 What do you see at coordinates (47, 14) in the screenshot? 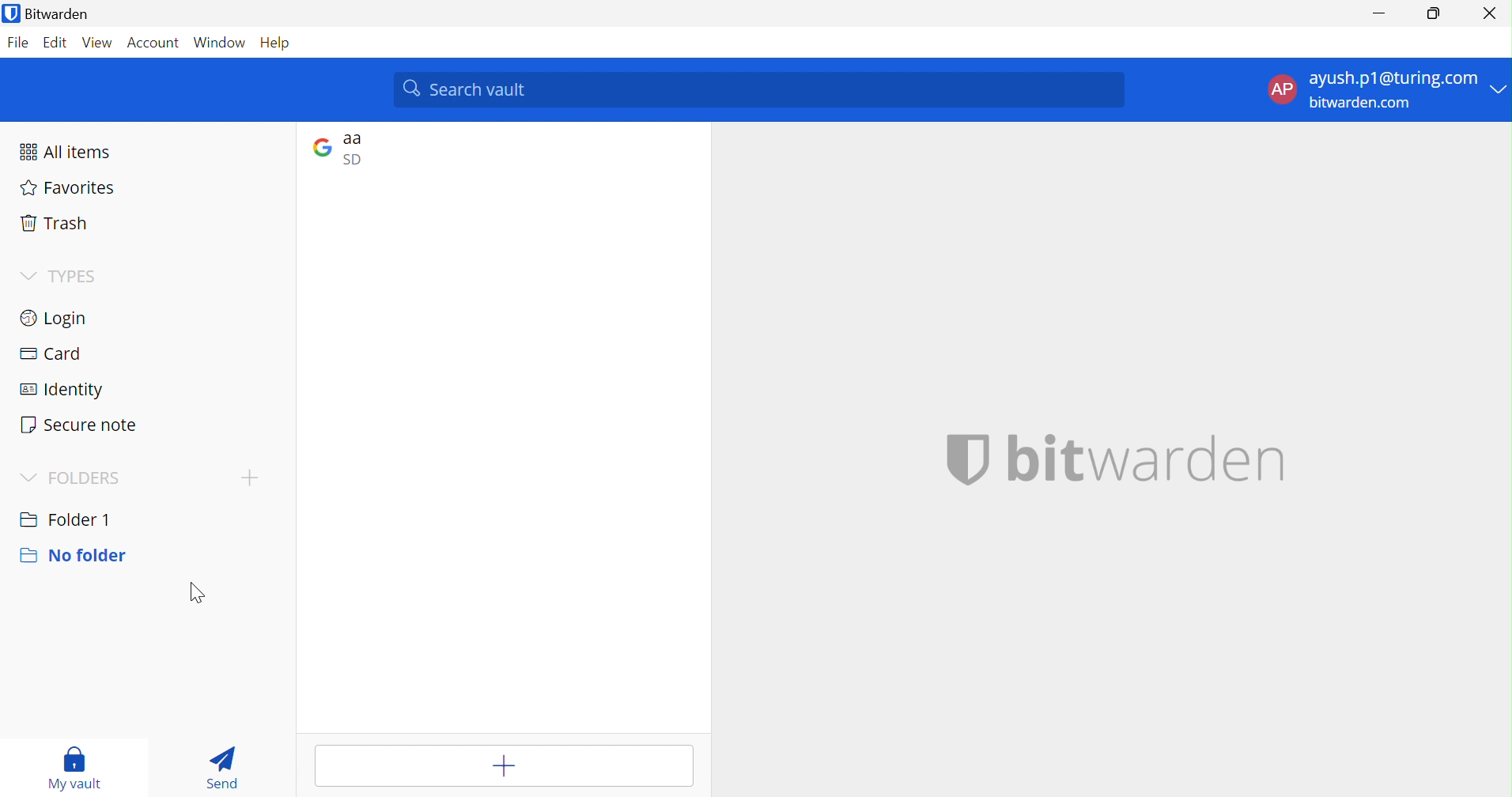
I see `` at bounding box center [47, 14].